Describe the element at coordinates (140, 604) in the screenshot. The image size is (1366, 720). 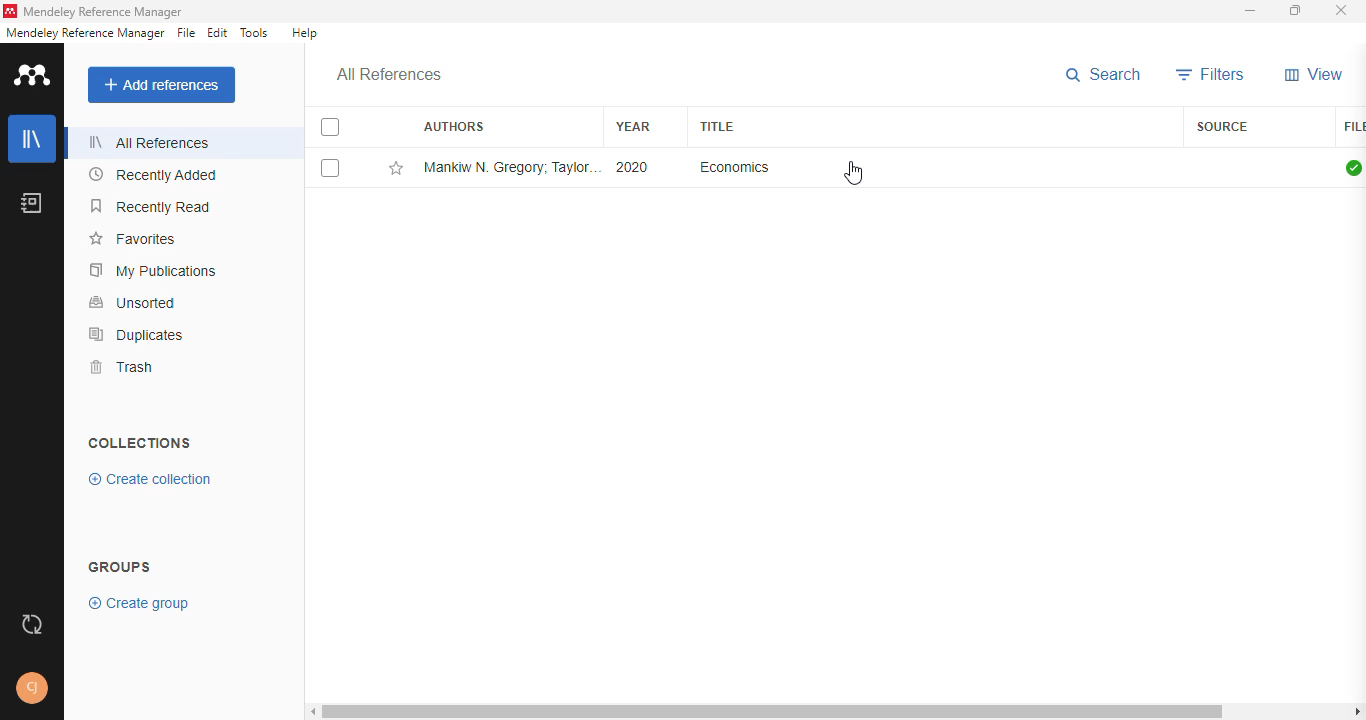
I see `create group` at that location.